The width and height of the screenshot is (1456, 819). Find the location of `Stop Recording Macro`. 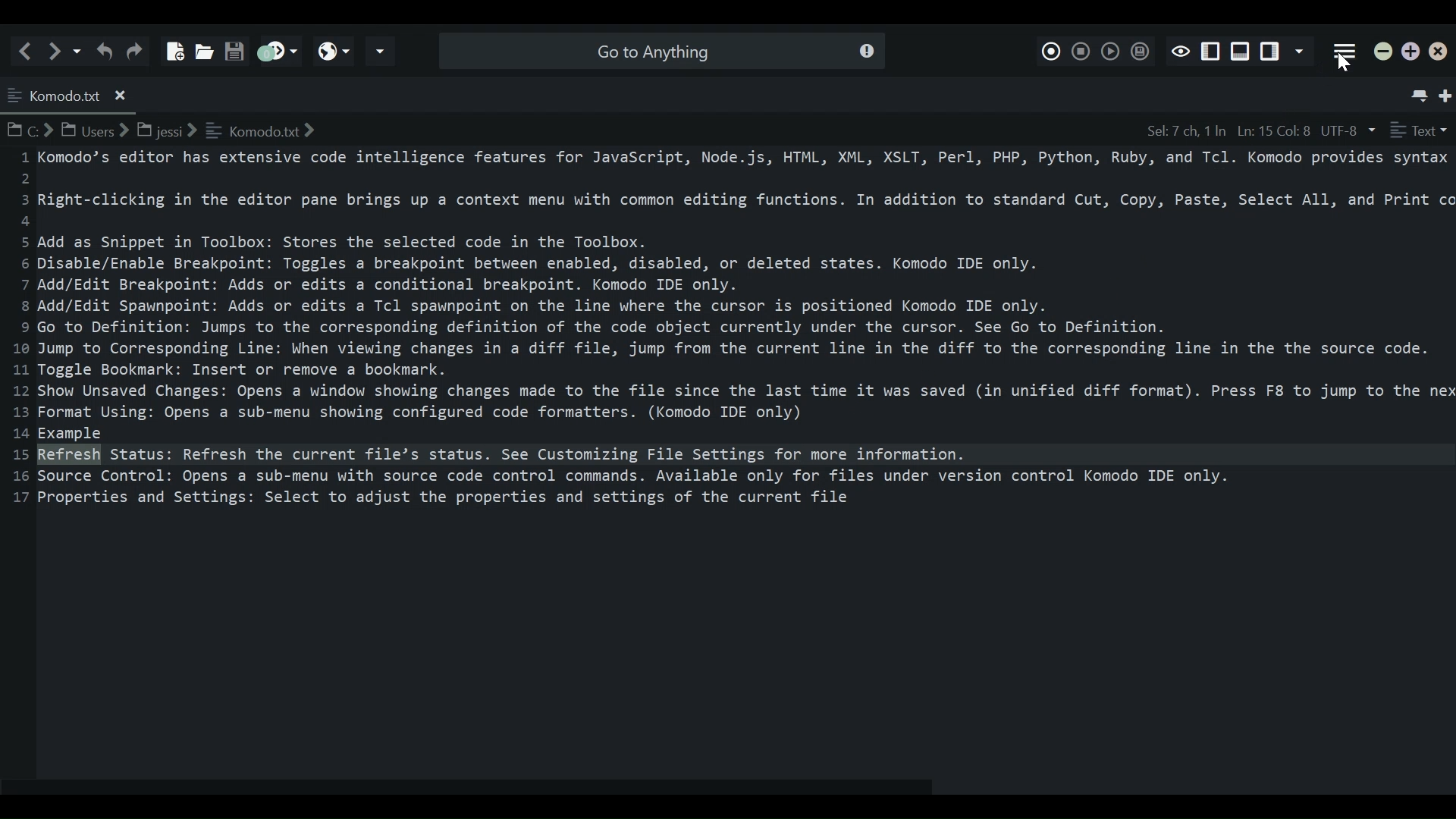

Stop Recording Macro is located at coordinates (1081, 49).